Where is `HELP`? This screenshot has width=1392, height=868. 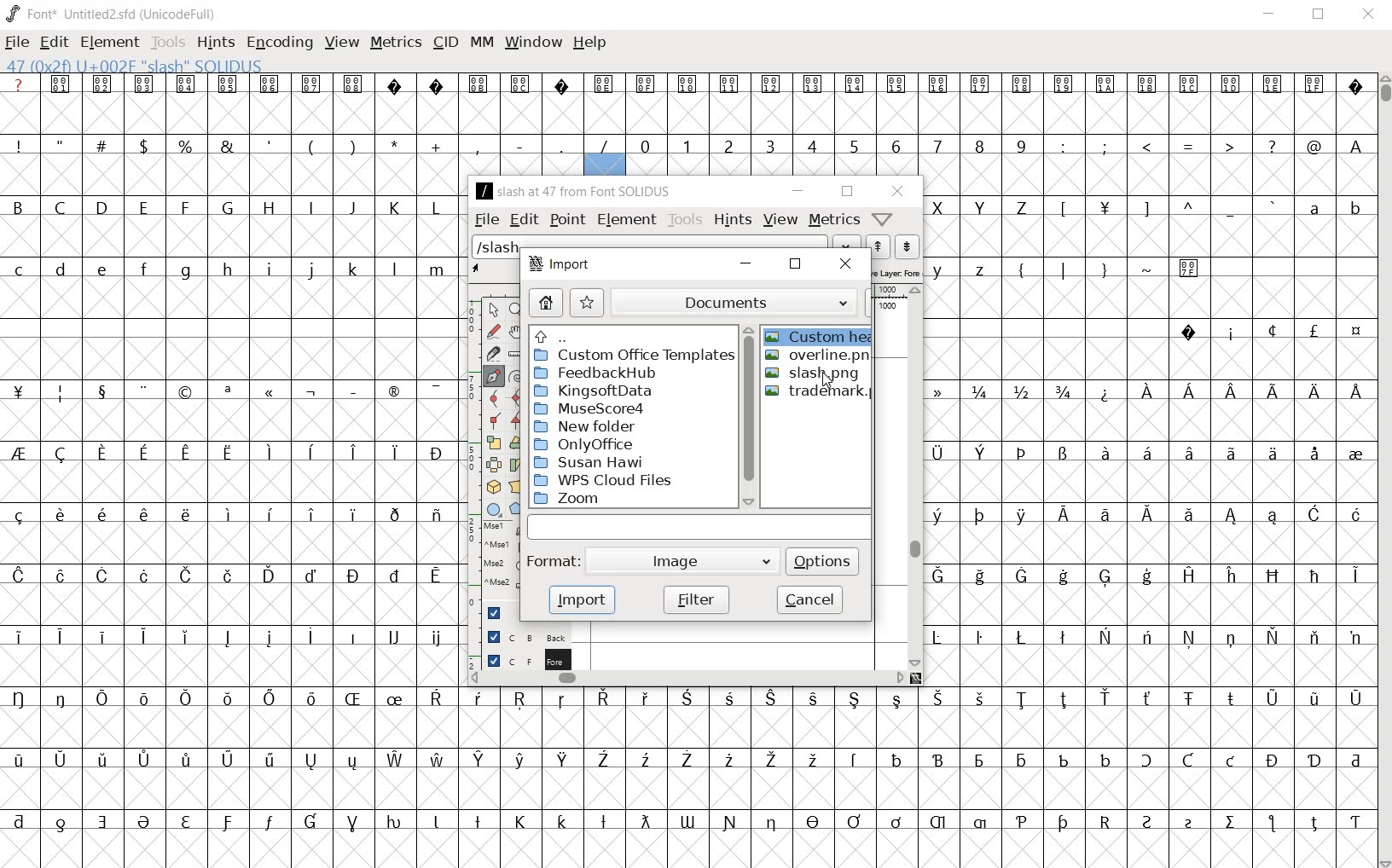 HELP is located at coordinates (590, 43).